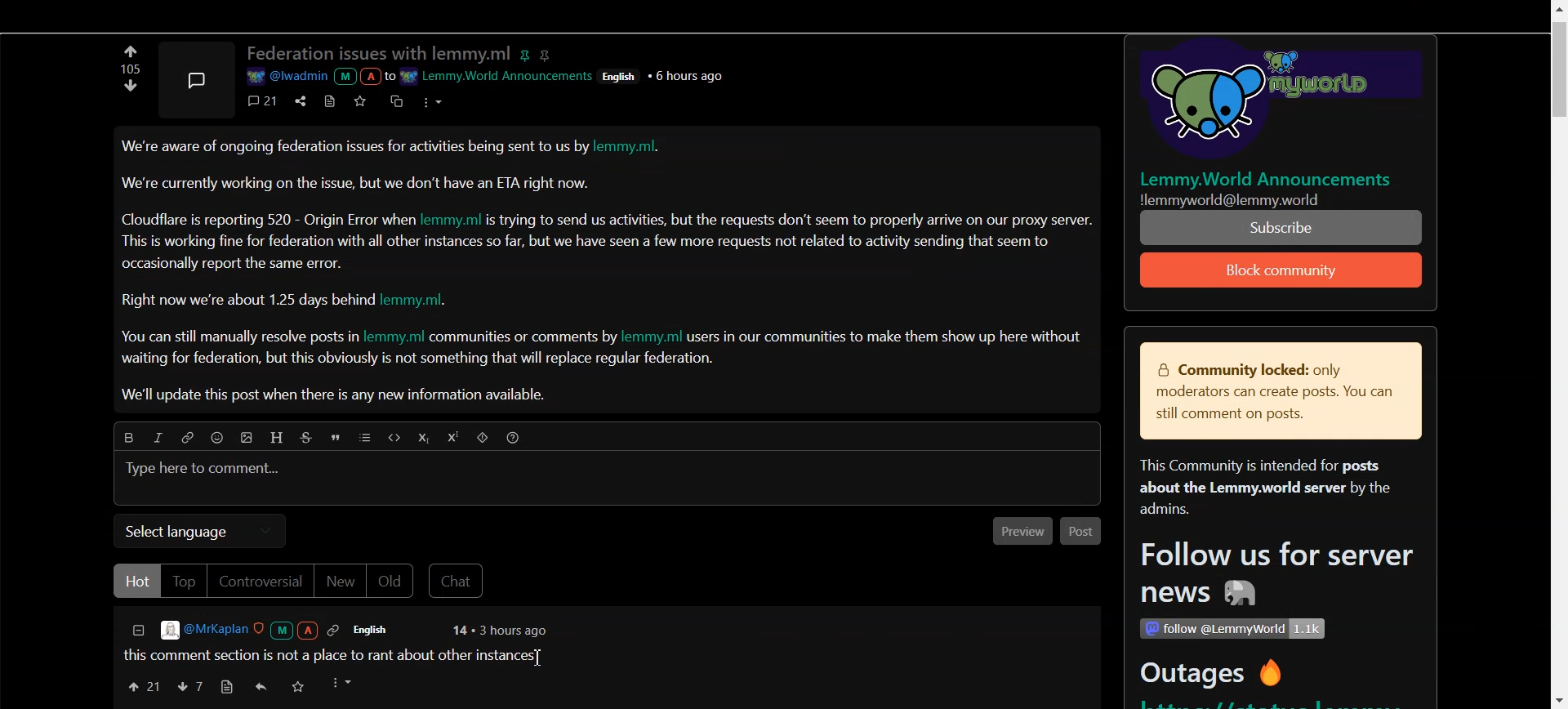 This screenshot has height=709, width=1568. Describe the element at coordinates (221, 439) in the screenshot. I see `Emoji` at that location.